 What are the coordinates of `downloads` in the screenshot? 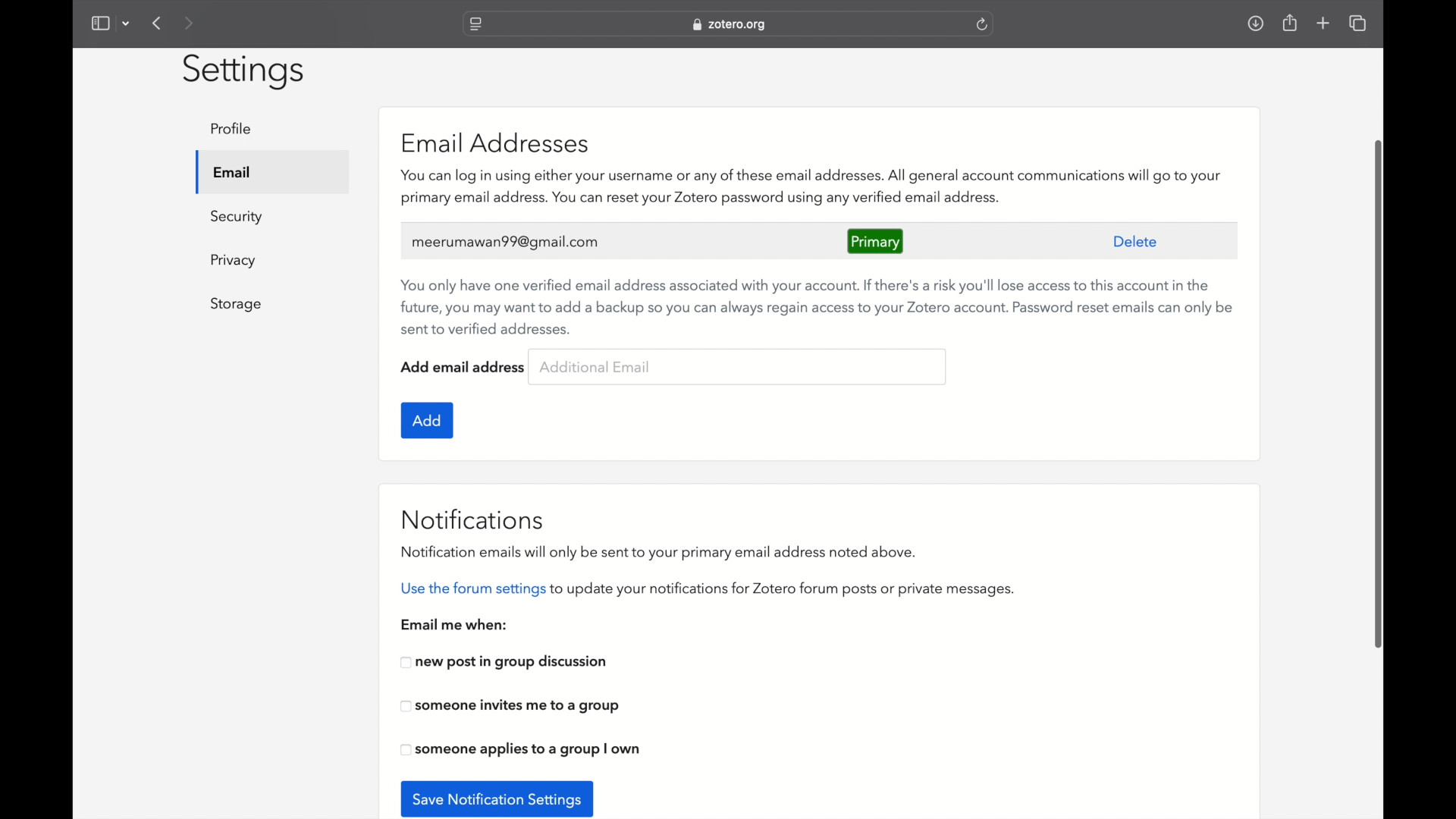 It's located at (1255, 24).